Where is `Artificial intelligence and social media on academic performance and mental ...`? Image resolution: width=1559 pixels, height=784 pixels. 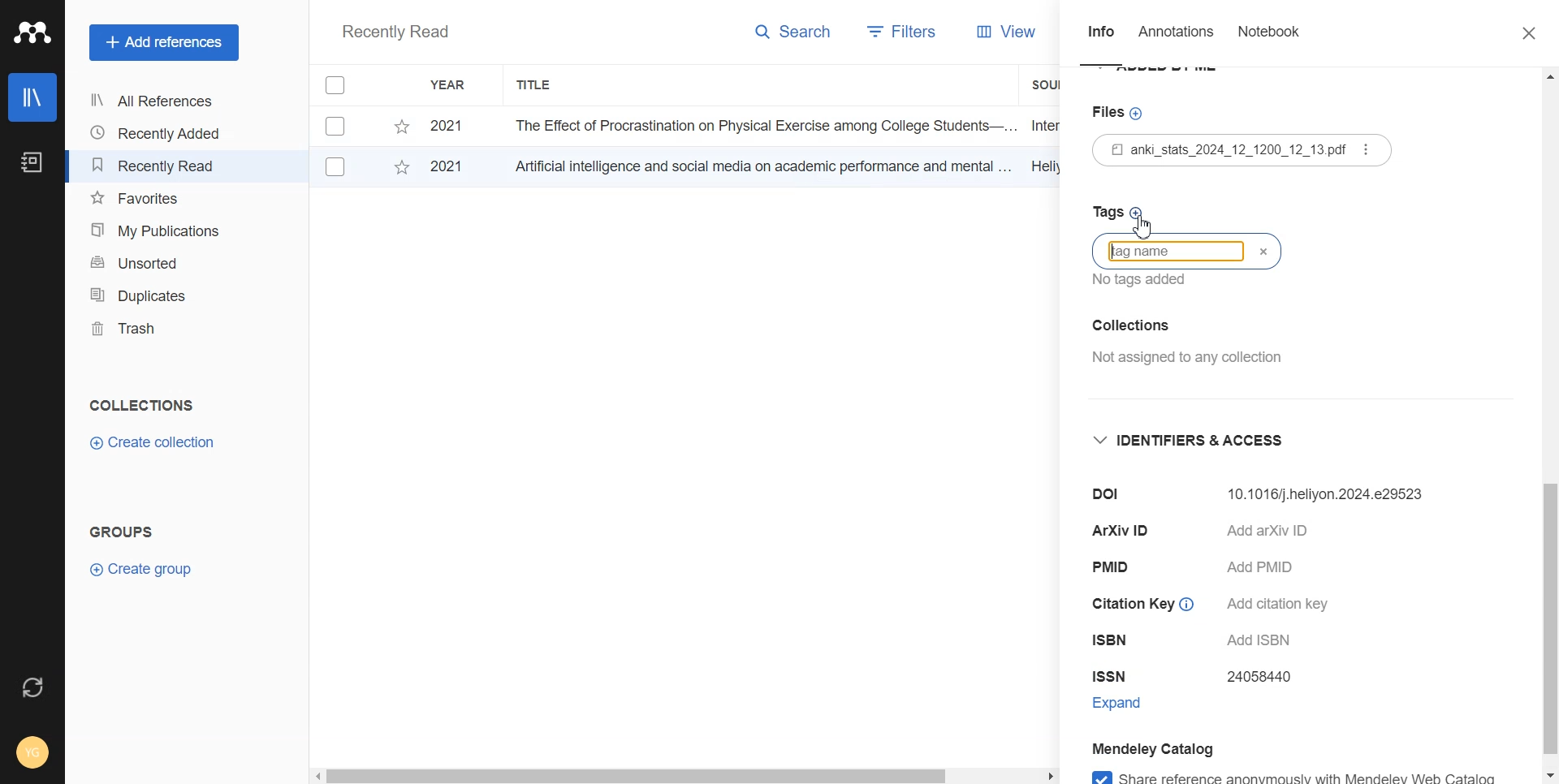
Artificial intelligence and social media on academic performance and mental ... is located at coordinates (760, 166).